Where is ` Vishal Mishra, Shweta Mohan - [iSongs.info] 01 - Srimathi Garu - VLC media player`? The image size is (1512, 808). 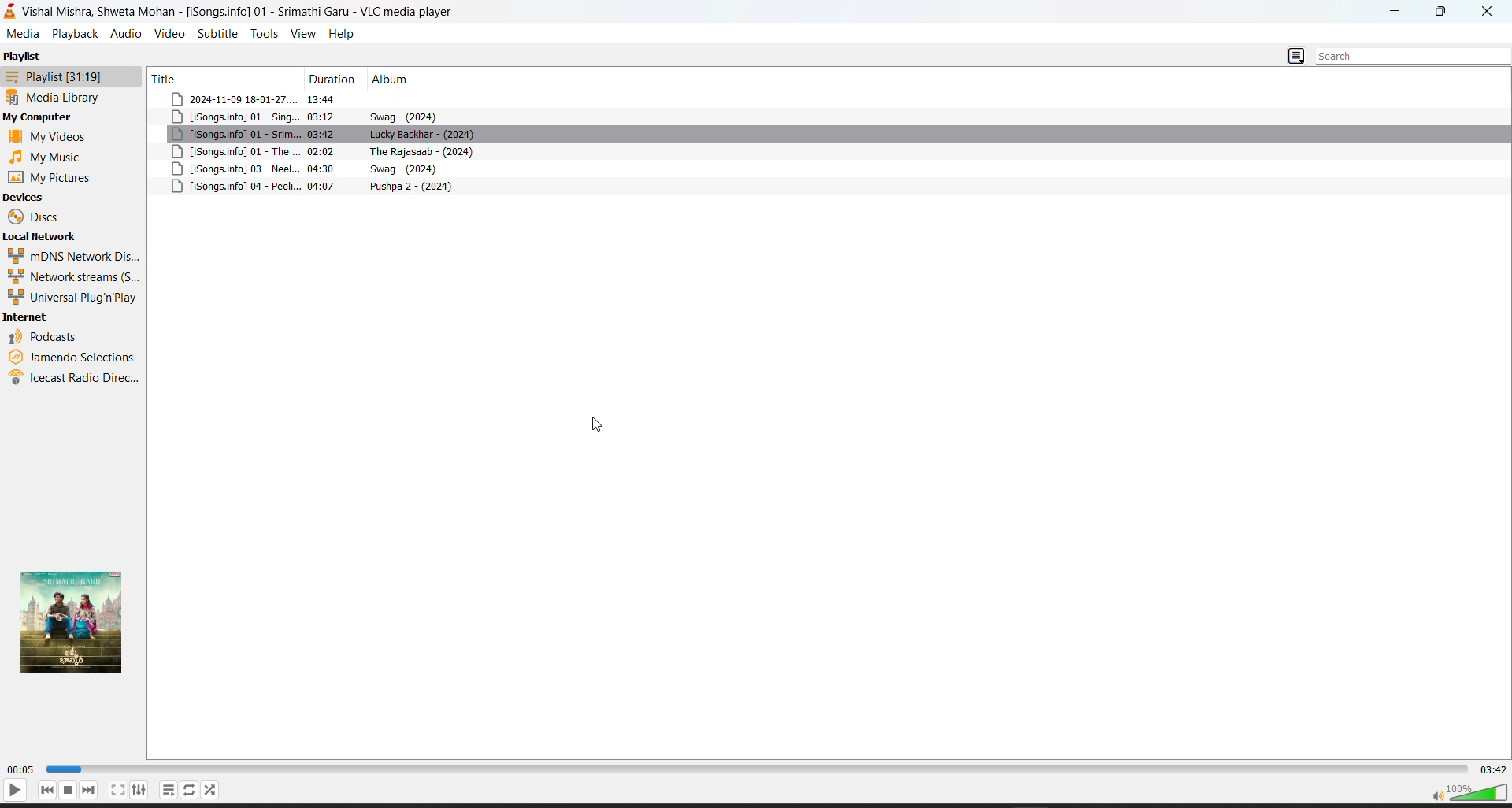  Vishal Mishra, Shweta Mohan - [iSongs.info] 01 - Srimathi Garu - VLC media player is located at coordinates (244, 12).